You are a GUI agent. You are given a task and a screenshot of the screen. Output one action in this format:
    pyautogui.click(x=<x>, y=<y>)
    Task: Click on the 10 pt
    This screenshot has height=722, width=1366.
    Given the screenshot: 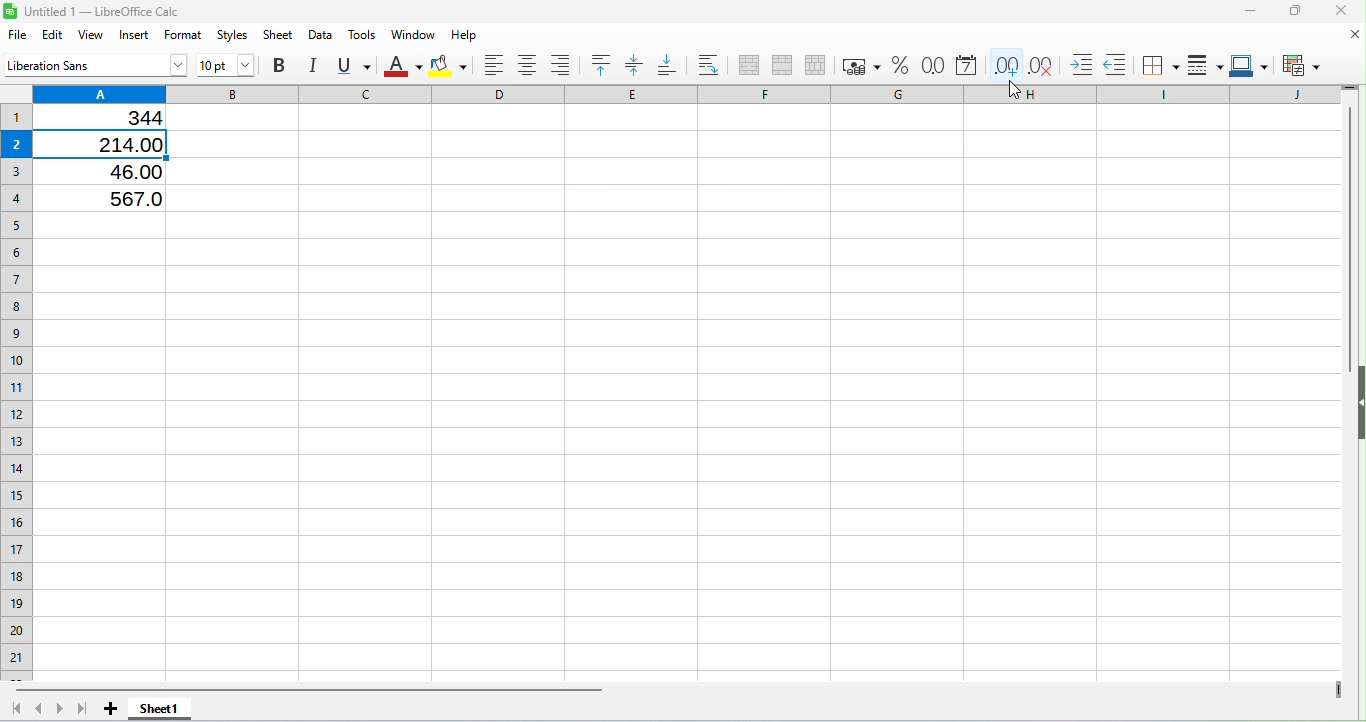 What is the action you would take?
    pyautogui.click(x=227, y=65)
    